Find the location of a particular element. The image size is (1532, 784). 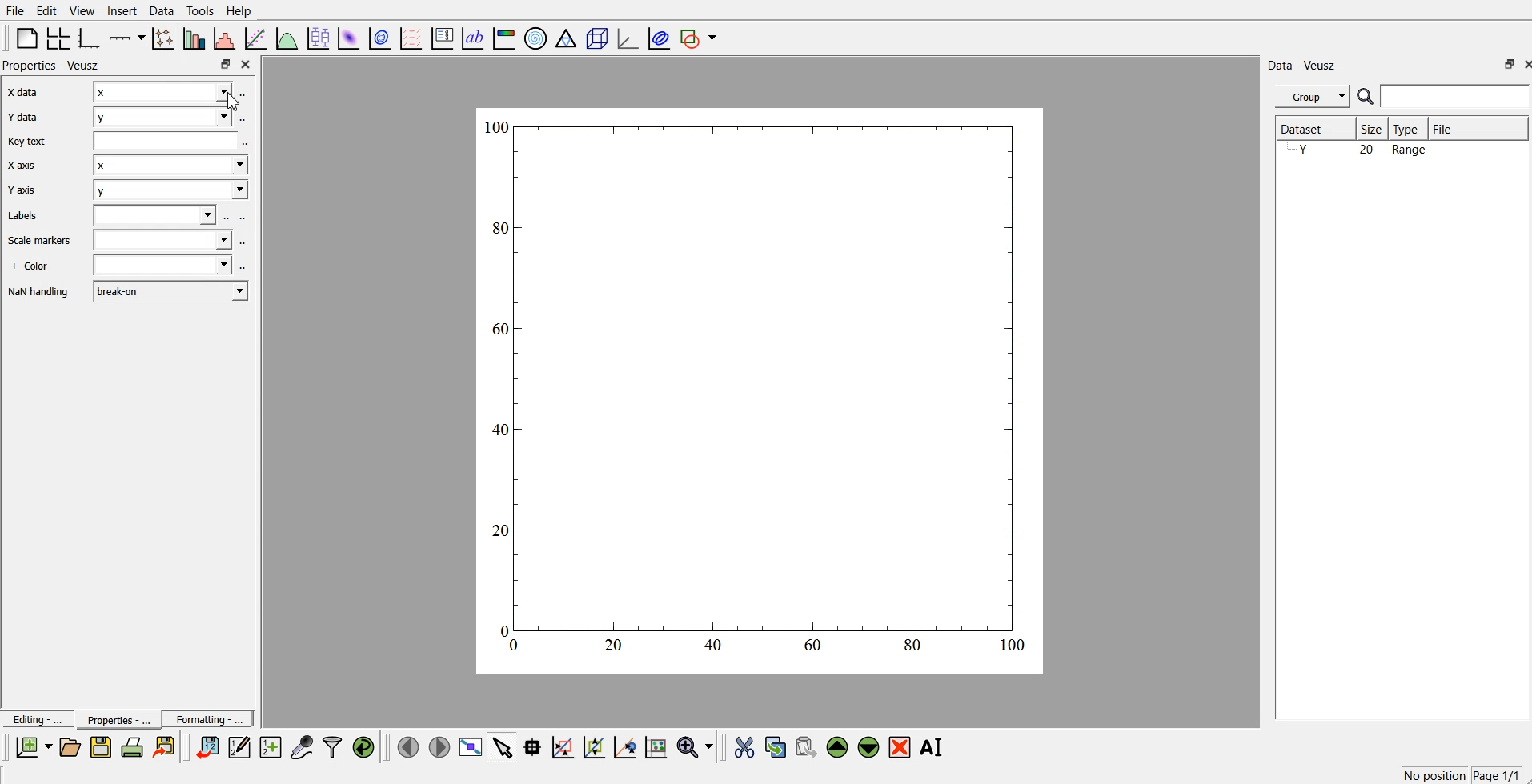

plot key is located at coordinates (443, 37).